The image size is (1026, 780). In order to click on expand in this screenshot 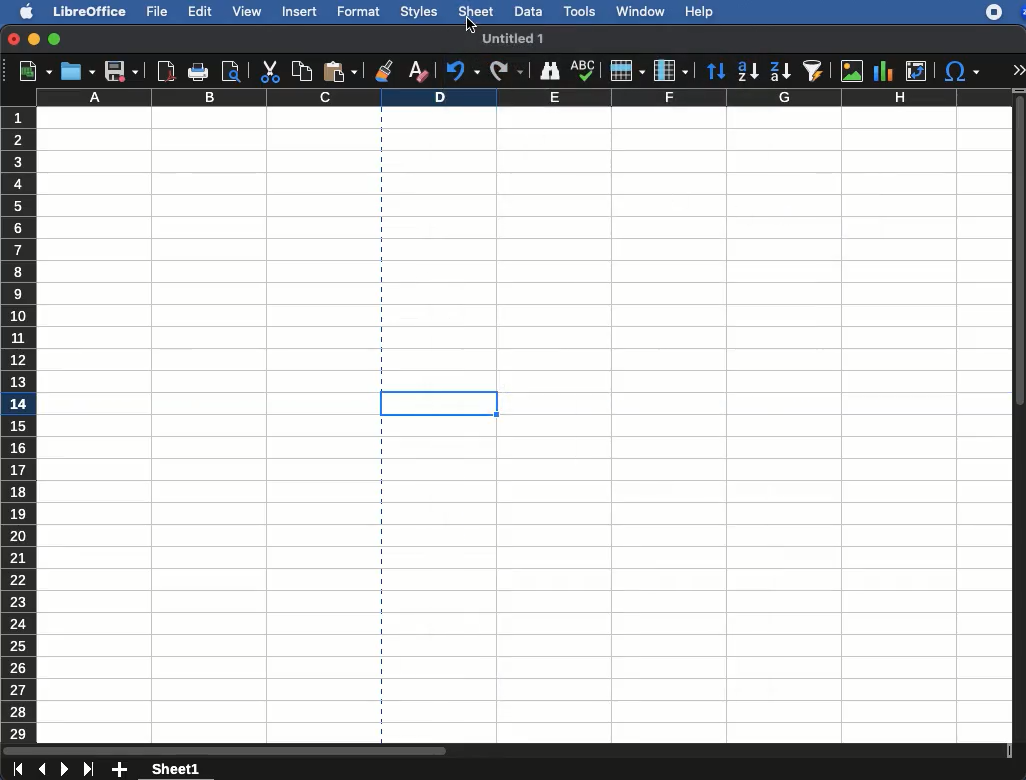, I will do `click(1020, 69)`.